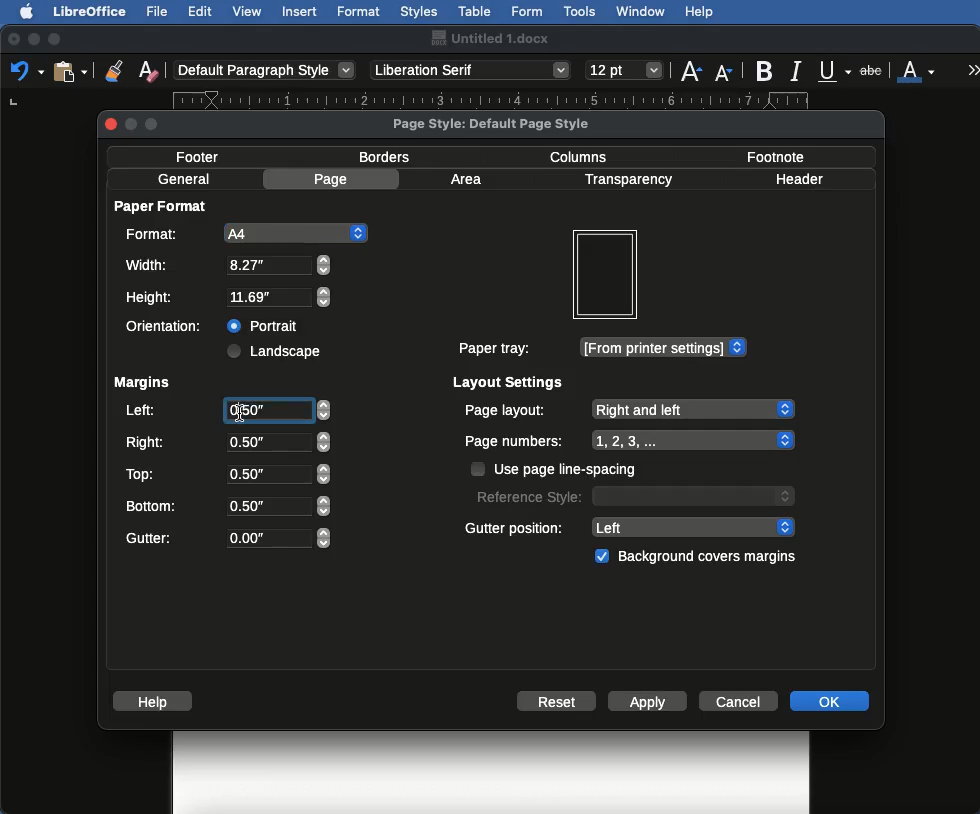 The height and width of the screenshot is (814, 980). What do you see at coordinates (159, 11) in the screenshot?
I see `File` at bounding box center [159, 11].